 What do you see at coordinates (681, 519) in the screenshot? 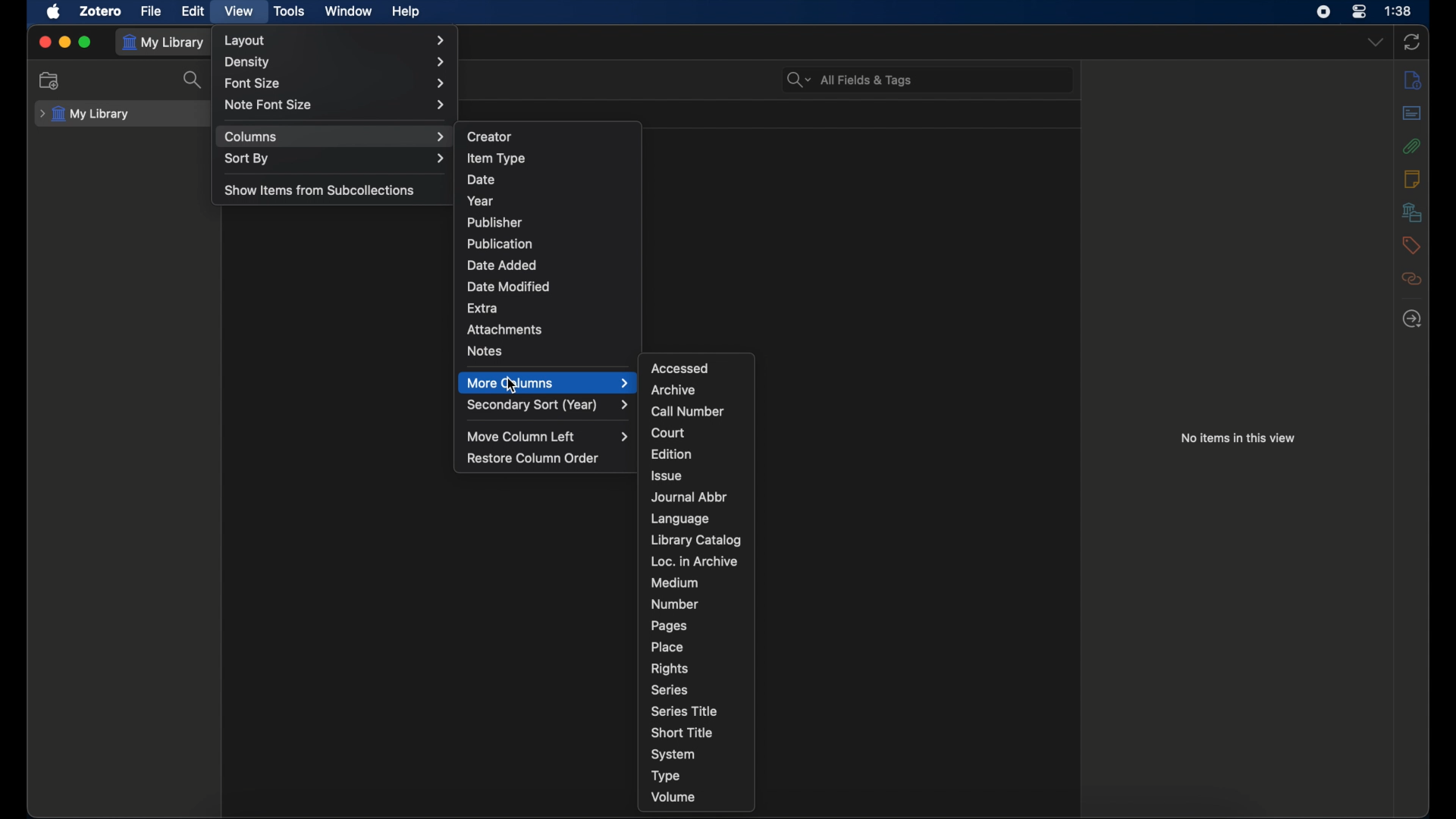
I see `language` at bounding box center [681, 519].